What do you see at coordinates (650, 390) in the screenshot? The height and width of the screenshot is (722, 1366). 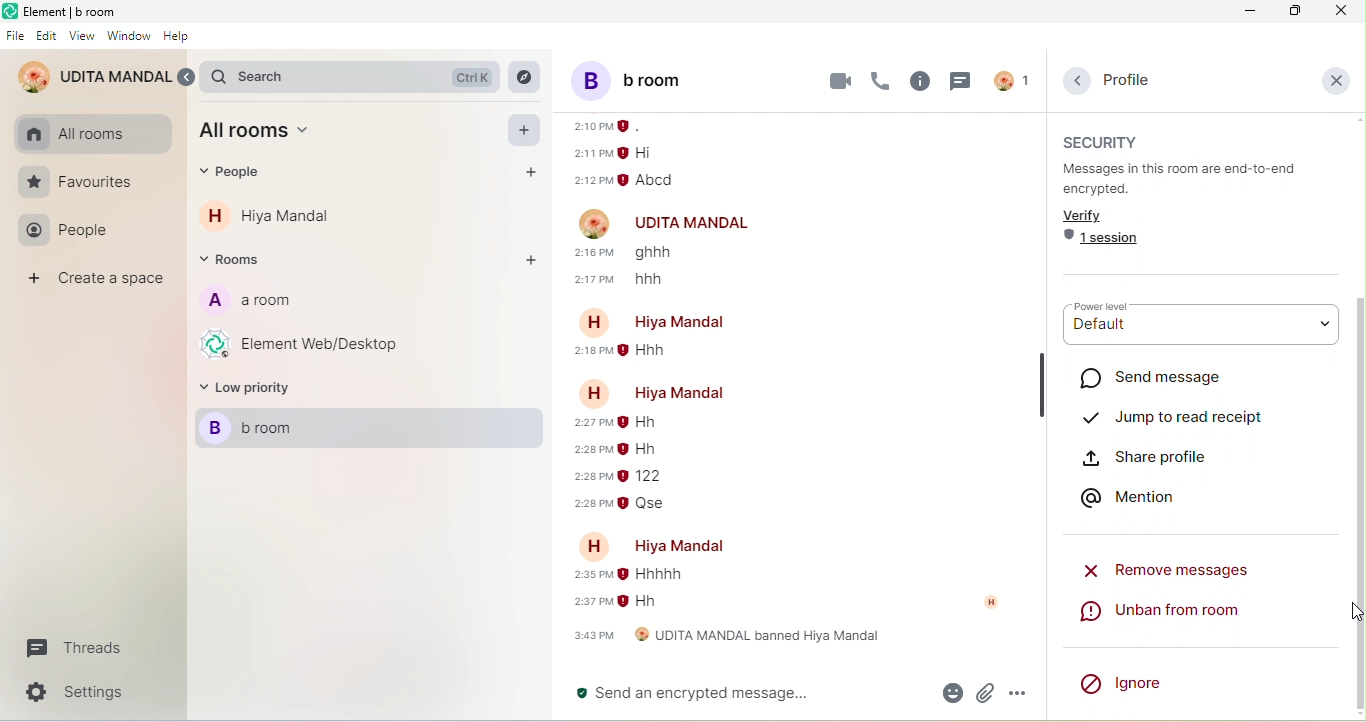 I see `account name- hiya mandal` at bounding box center [650, 390].